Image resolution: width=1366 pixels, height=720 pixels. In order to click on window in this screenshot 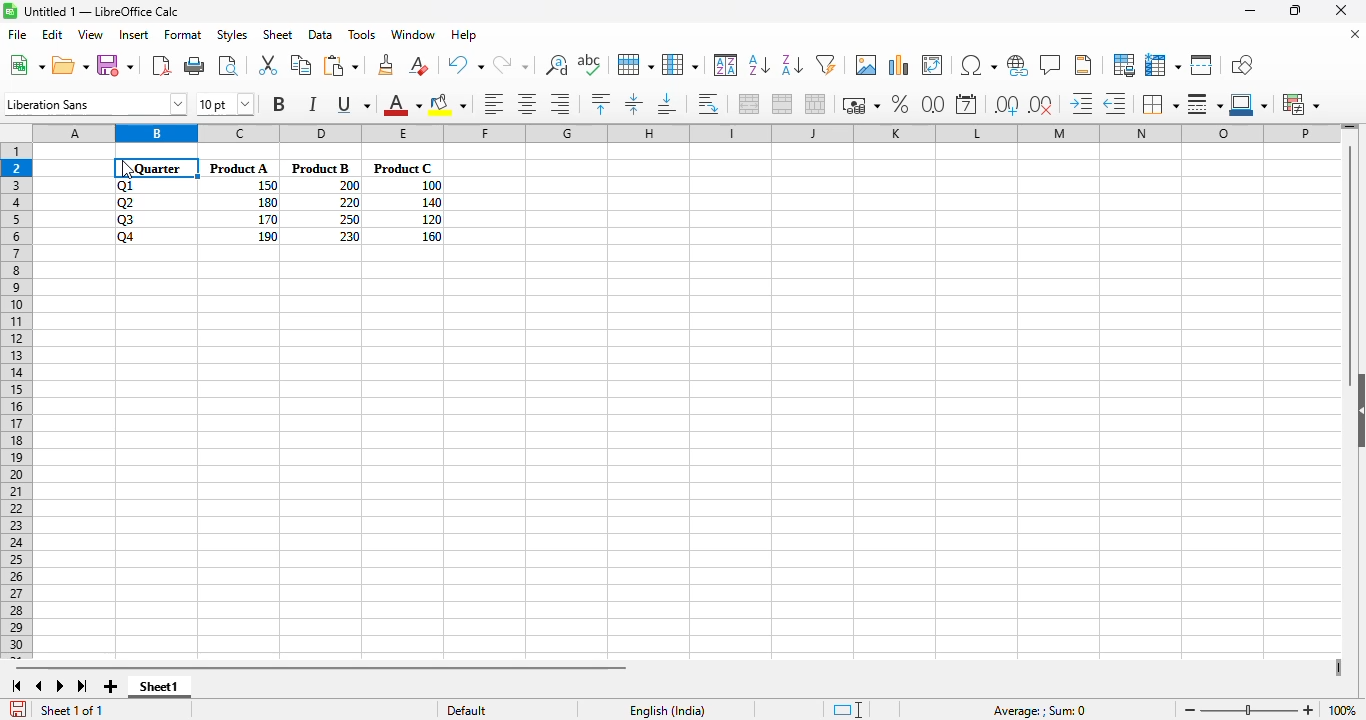, I will do `click(413, 34)`.